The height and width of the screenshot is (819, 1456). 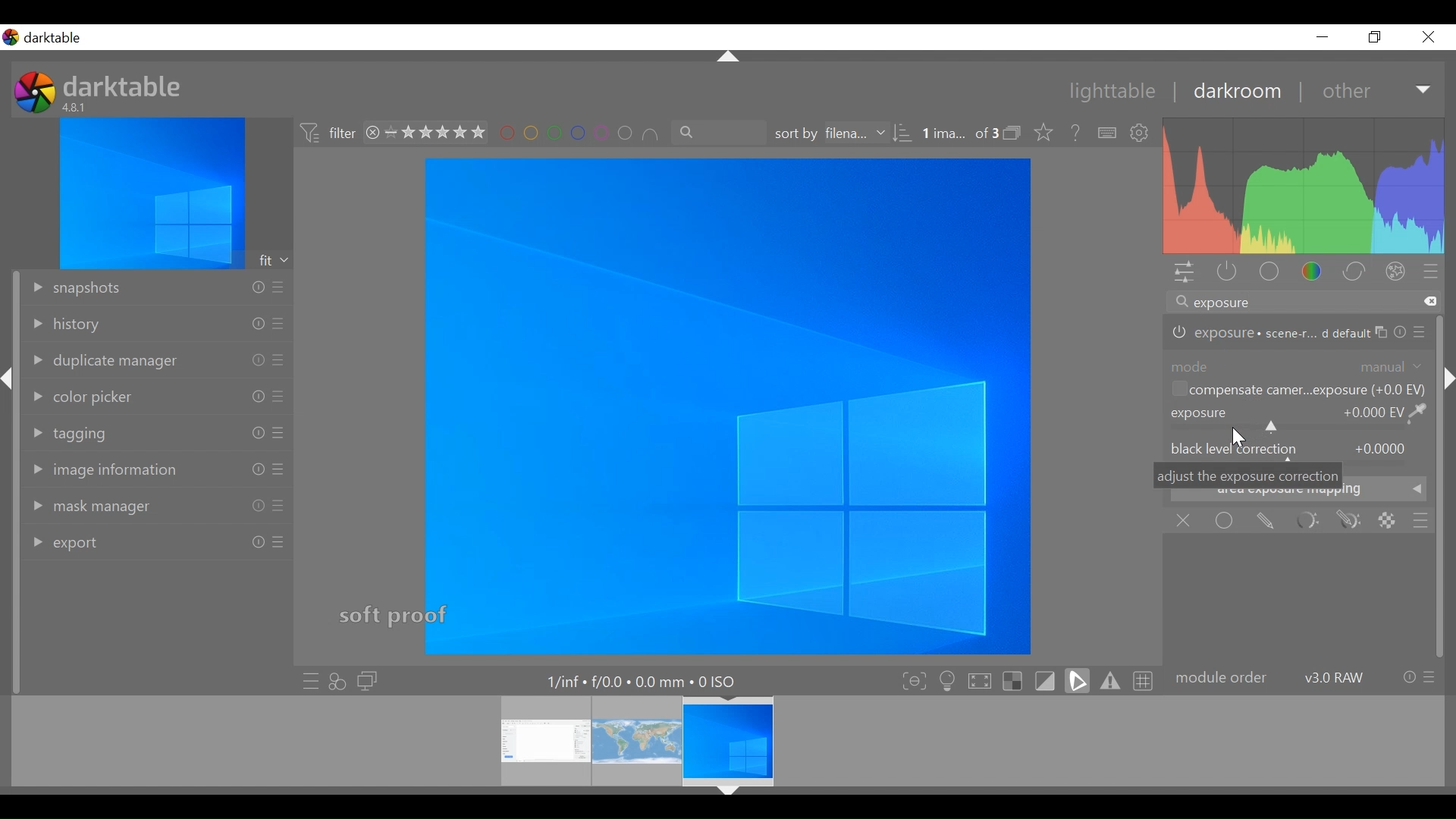 I want to click on minimize, so click(x=1323, y=37).